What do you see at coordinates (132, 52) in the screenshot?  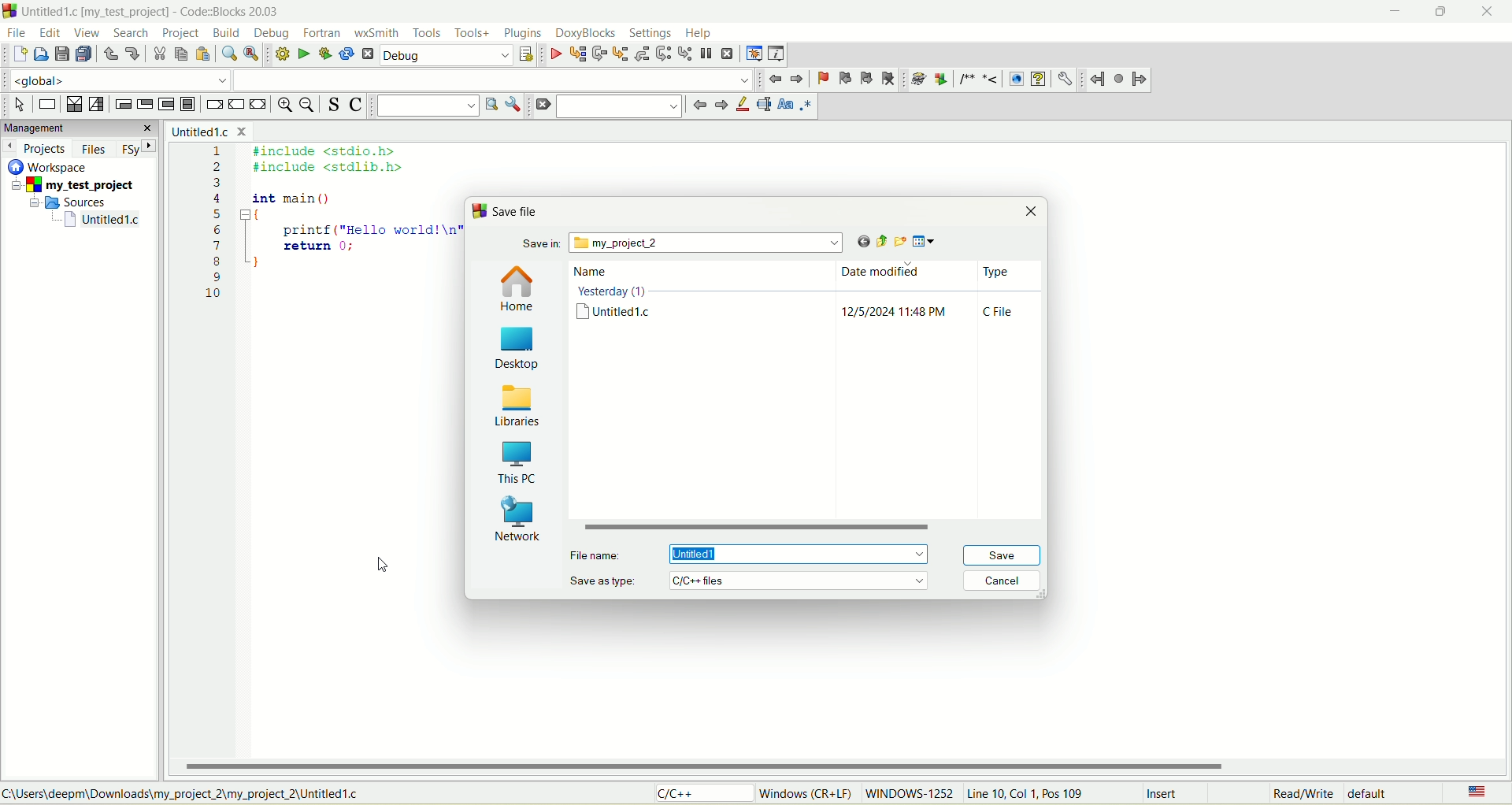 I see `redo` at bounding box center [132, 52].